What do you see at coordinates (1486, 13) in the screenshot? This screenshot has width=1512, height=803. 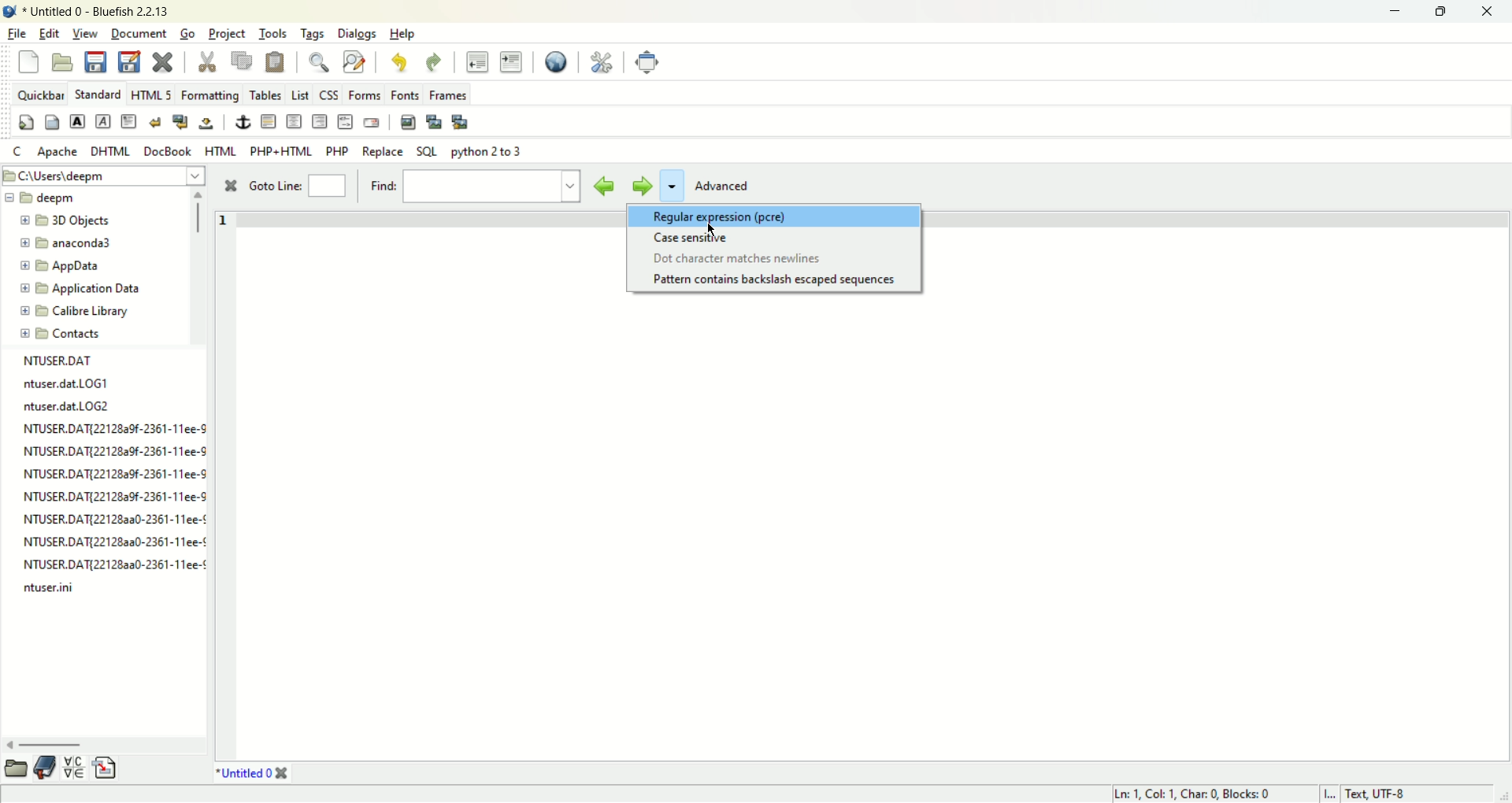 I see `close` at bounding box center [1486, 13].